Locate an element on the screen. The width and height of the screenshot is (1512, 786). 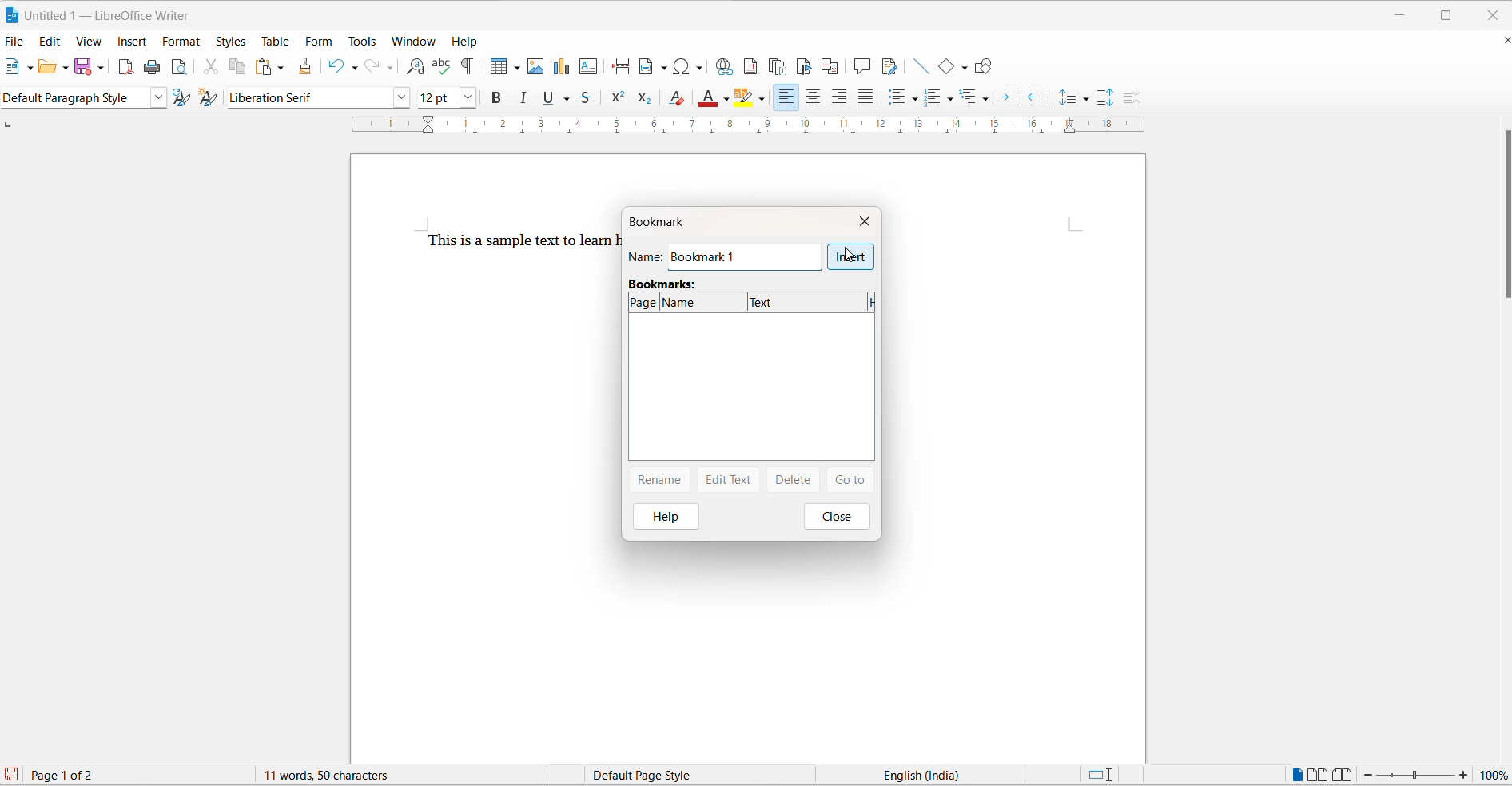
close is located at coordinates (866, 221).